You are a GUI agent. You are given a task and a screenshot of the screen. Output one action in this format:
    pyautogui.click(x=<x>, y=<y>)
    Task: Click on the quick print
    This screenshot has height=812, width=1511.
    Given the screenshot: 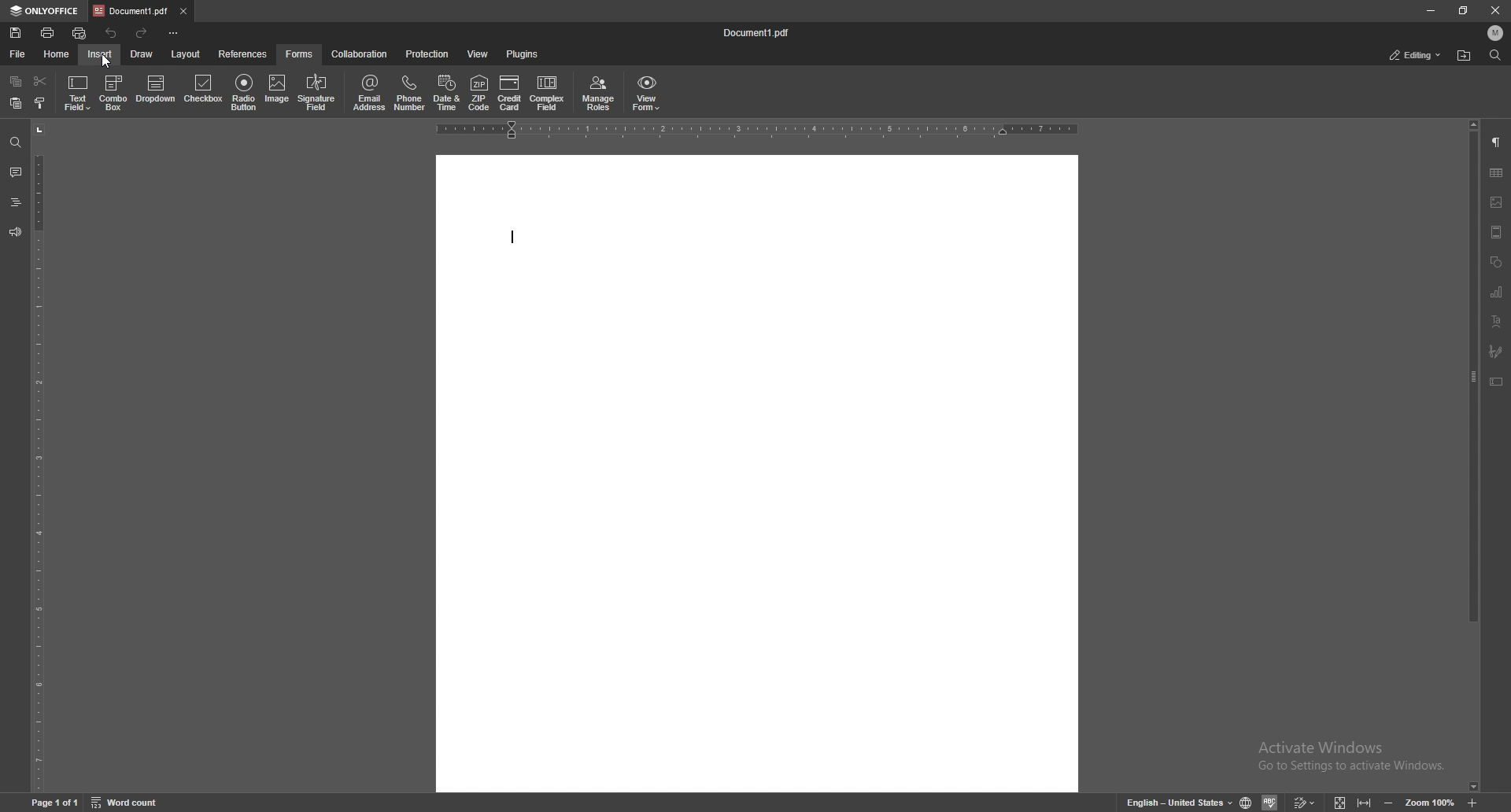 What is the action you would take?
    pyautogui.click(x=79, y=34)
    